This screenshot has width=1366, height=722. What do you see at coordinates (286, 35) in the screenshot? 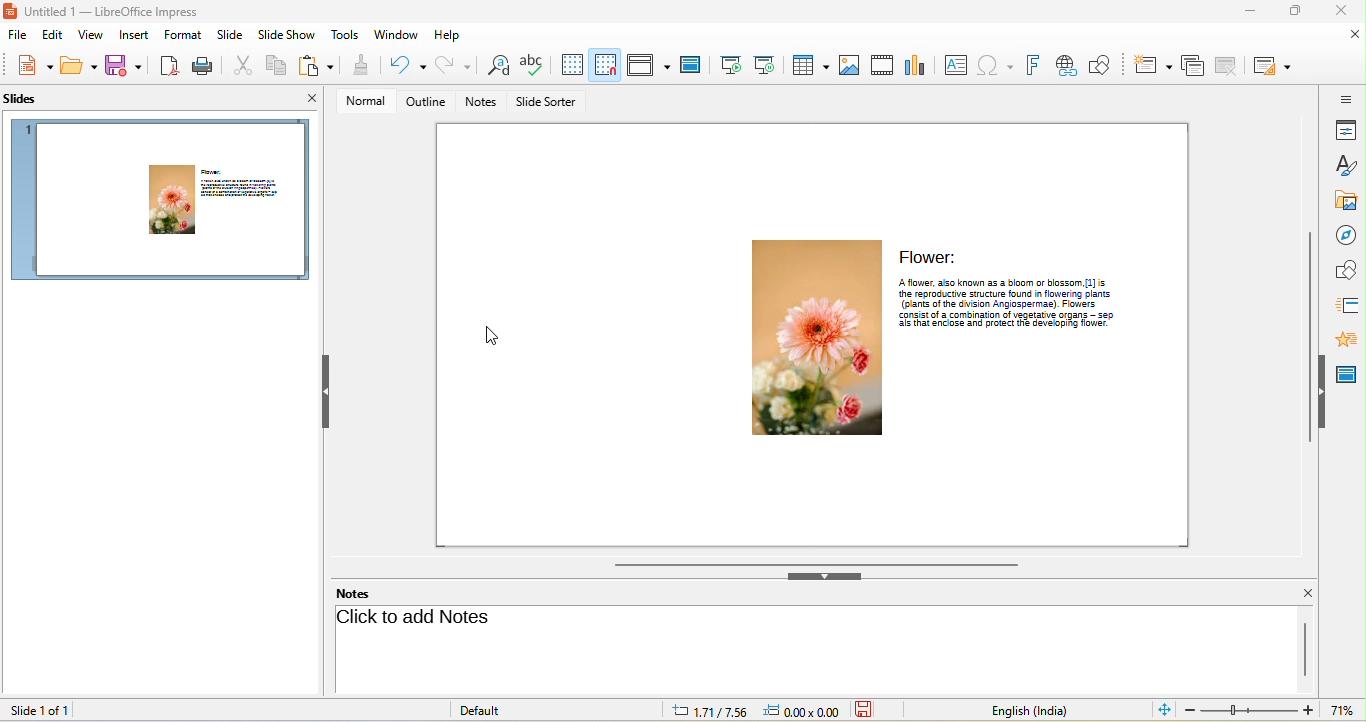
I see `slideshow` at bounding box center [286, 35].